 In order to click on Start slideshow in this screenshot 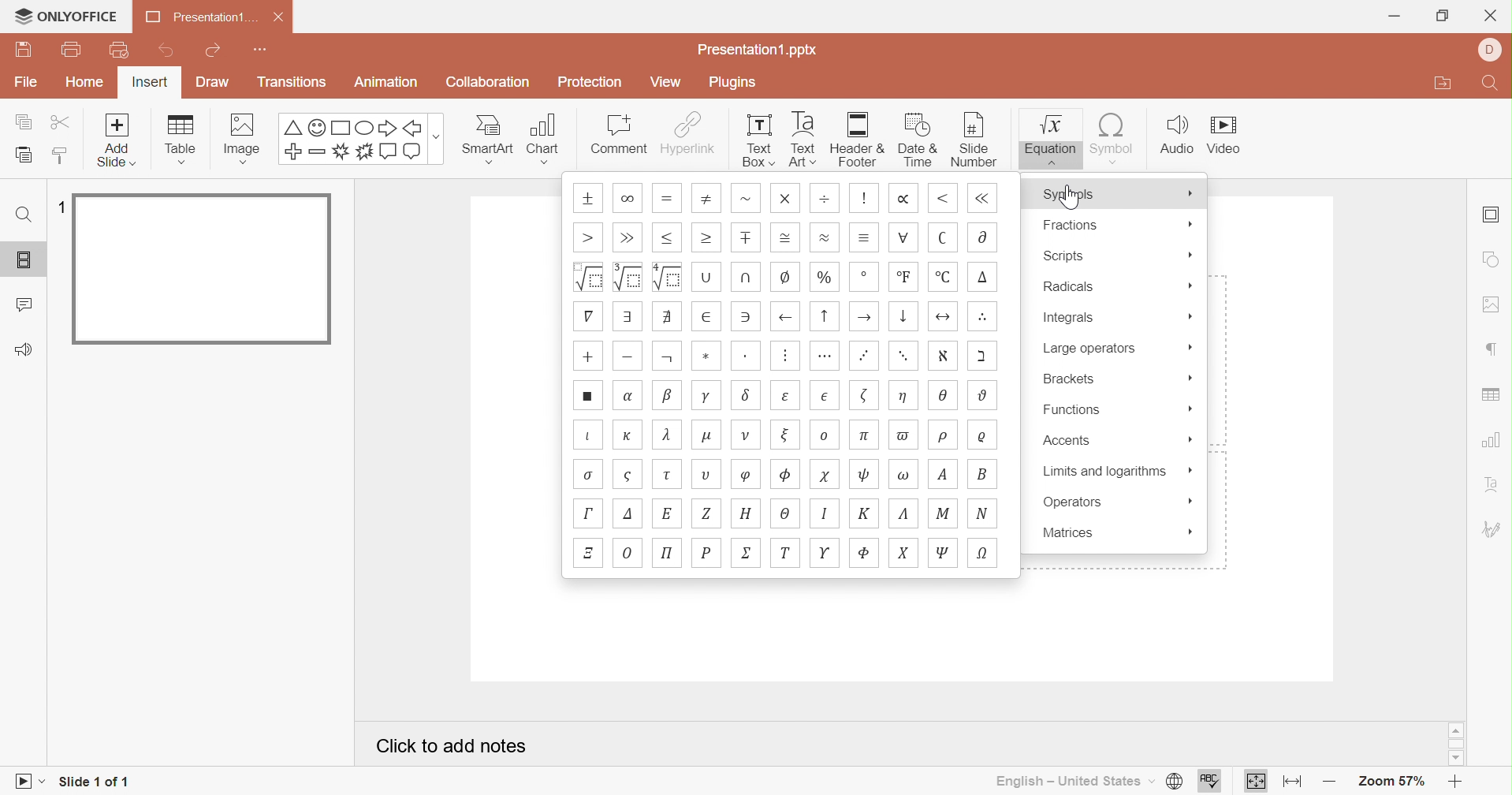, I will do `click(28, 780)`.